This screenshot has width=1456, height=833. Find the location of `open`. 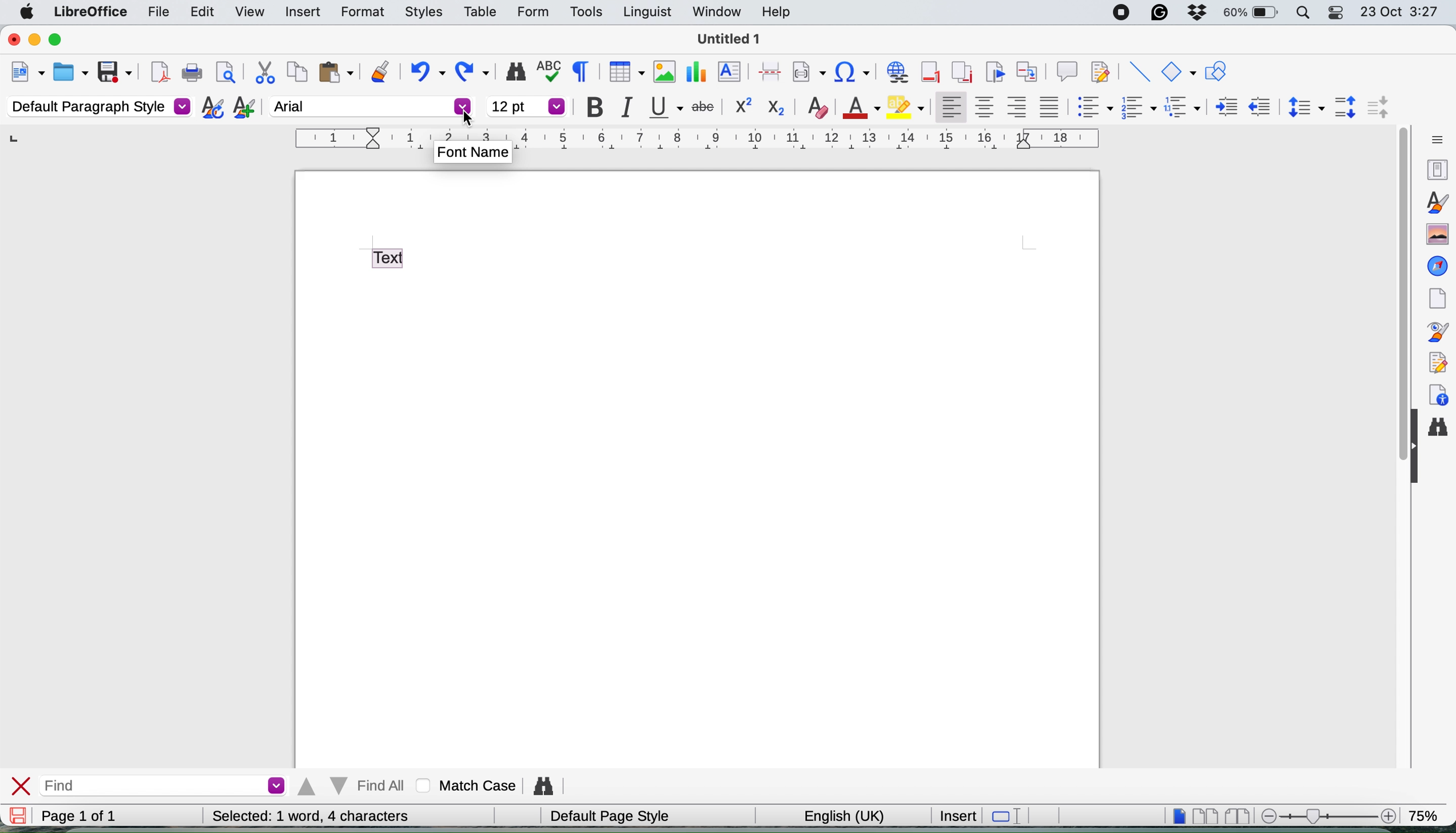

open is located at coordinates (71, 72).